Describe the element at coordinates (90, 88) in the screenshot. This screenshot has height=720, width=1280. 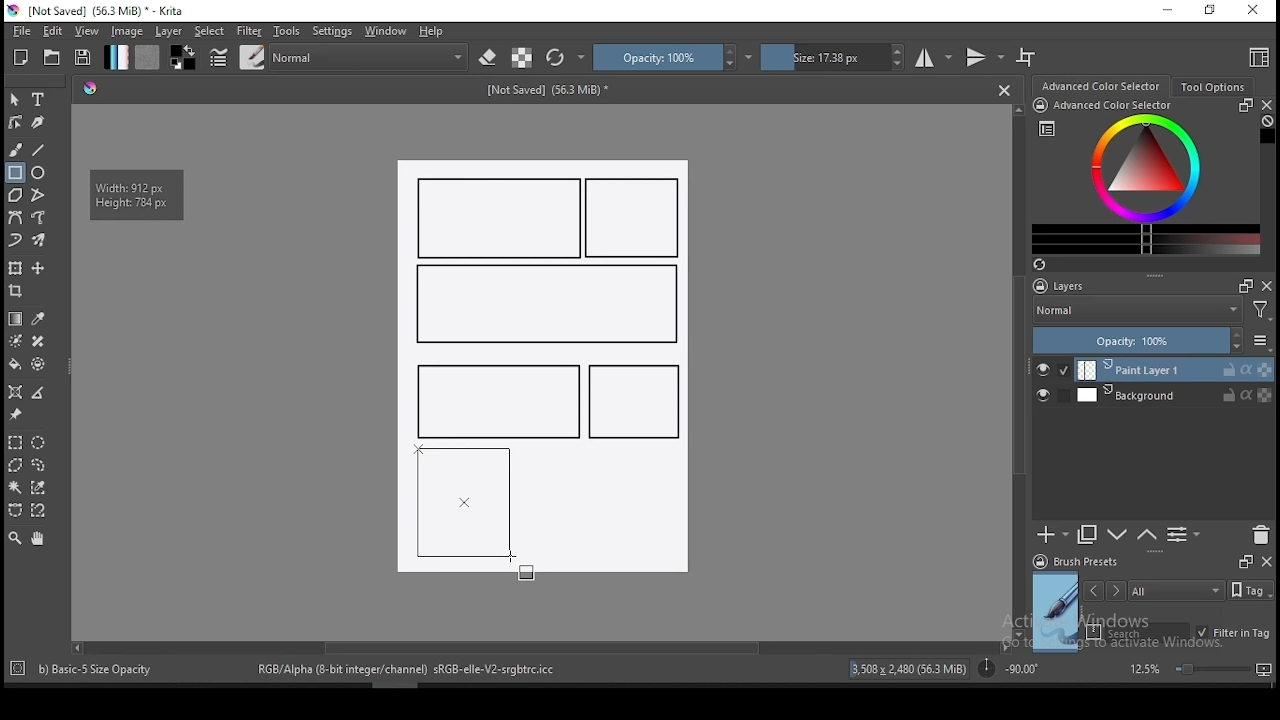
I see `Hue` at that location.